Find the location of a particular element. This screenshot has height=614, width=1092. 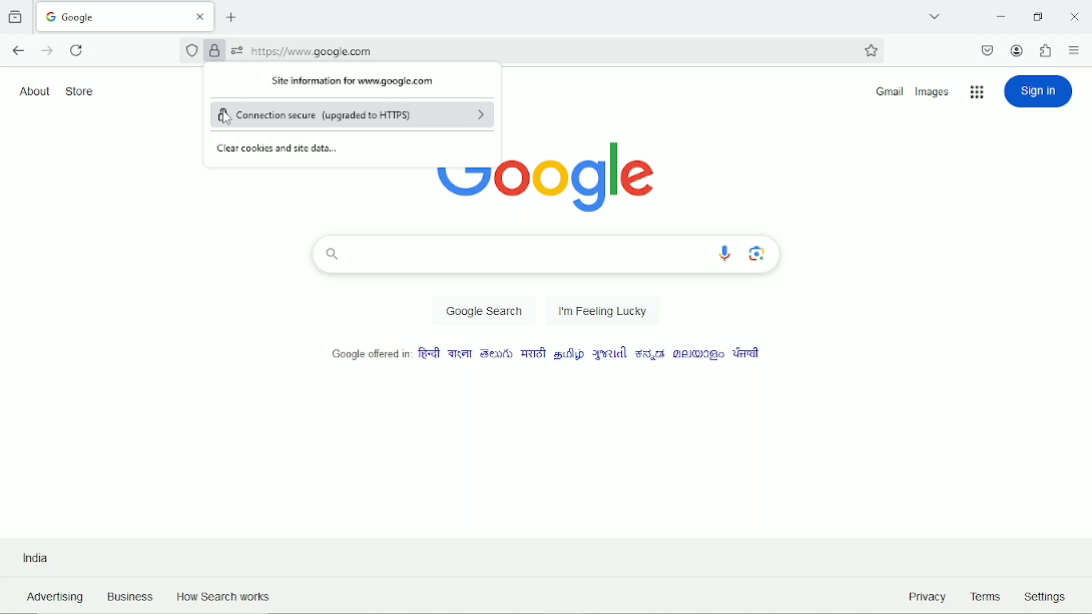

language is located at coordinates (460, 353).